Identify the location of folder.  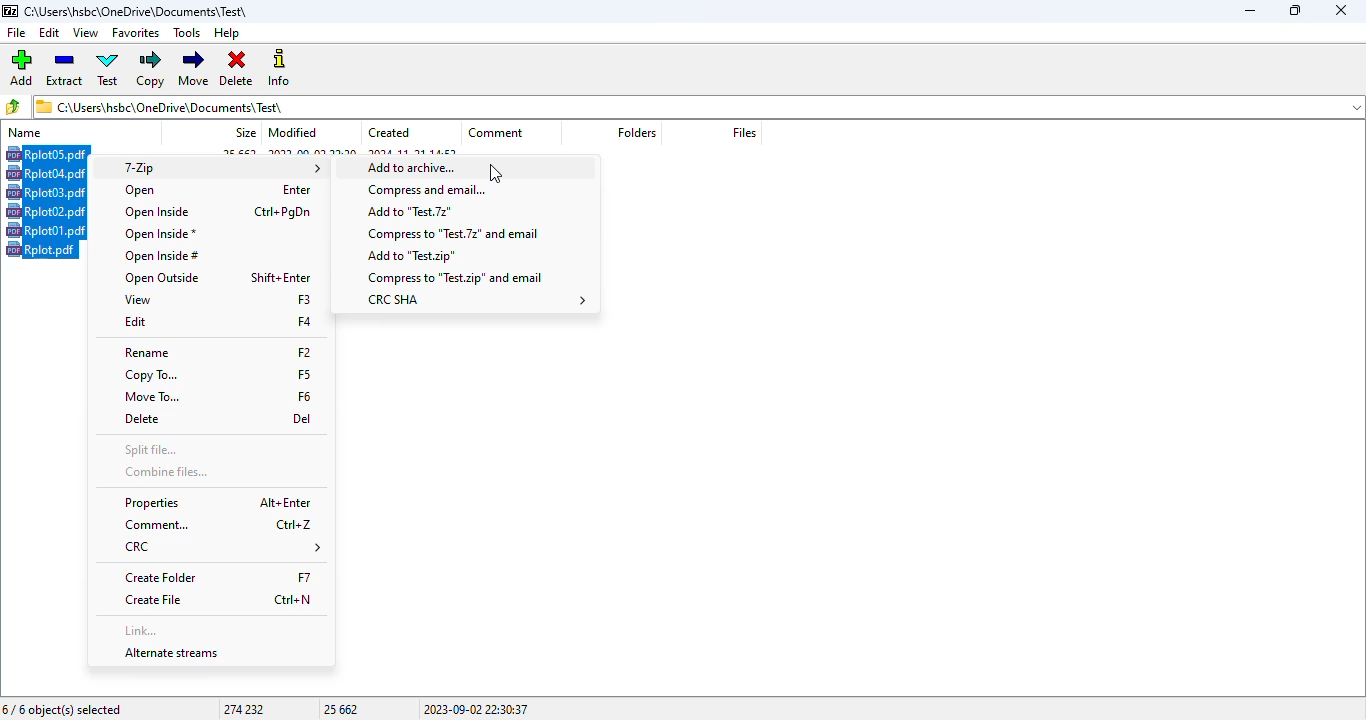
(138, 11).